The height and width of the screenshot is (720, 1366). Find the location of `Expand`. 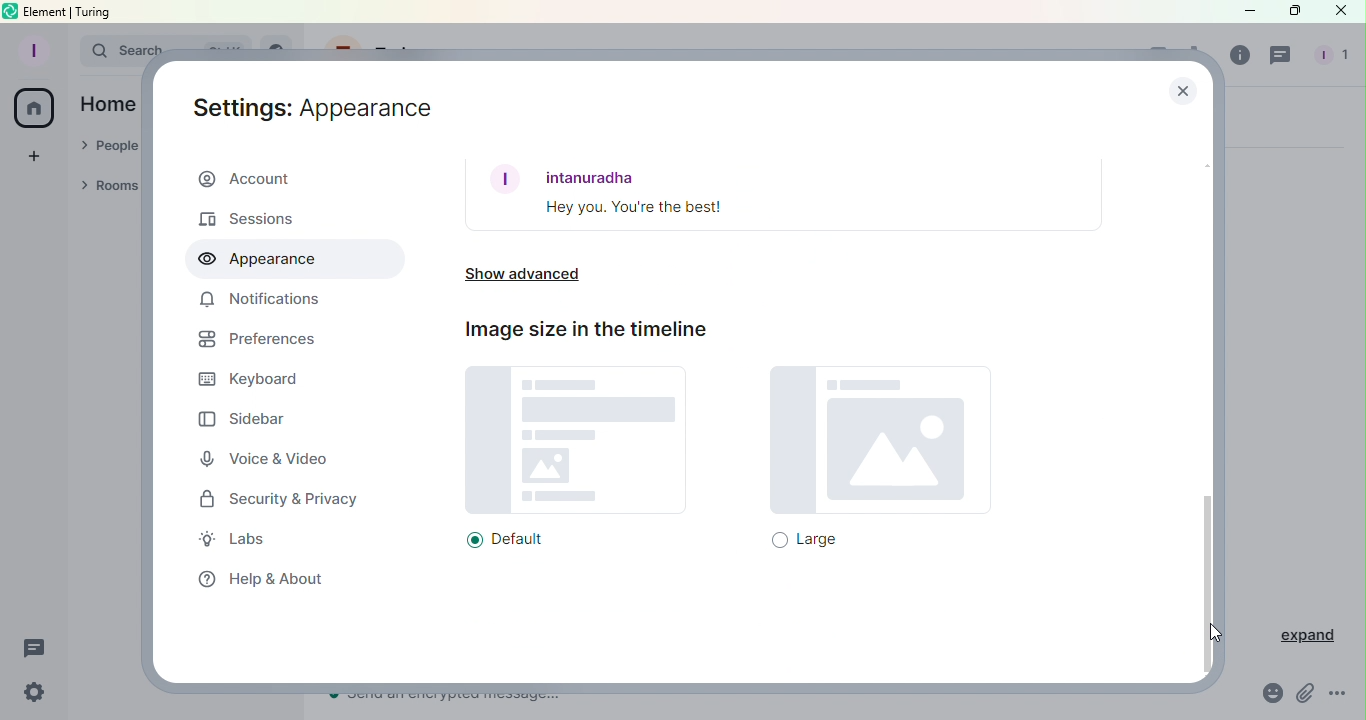

Expand is located at coordinates (1298, 636).